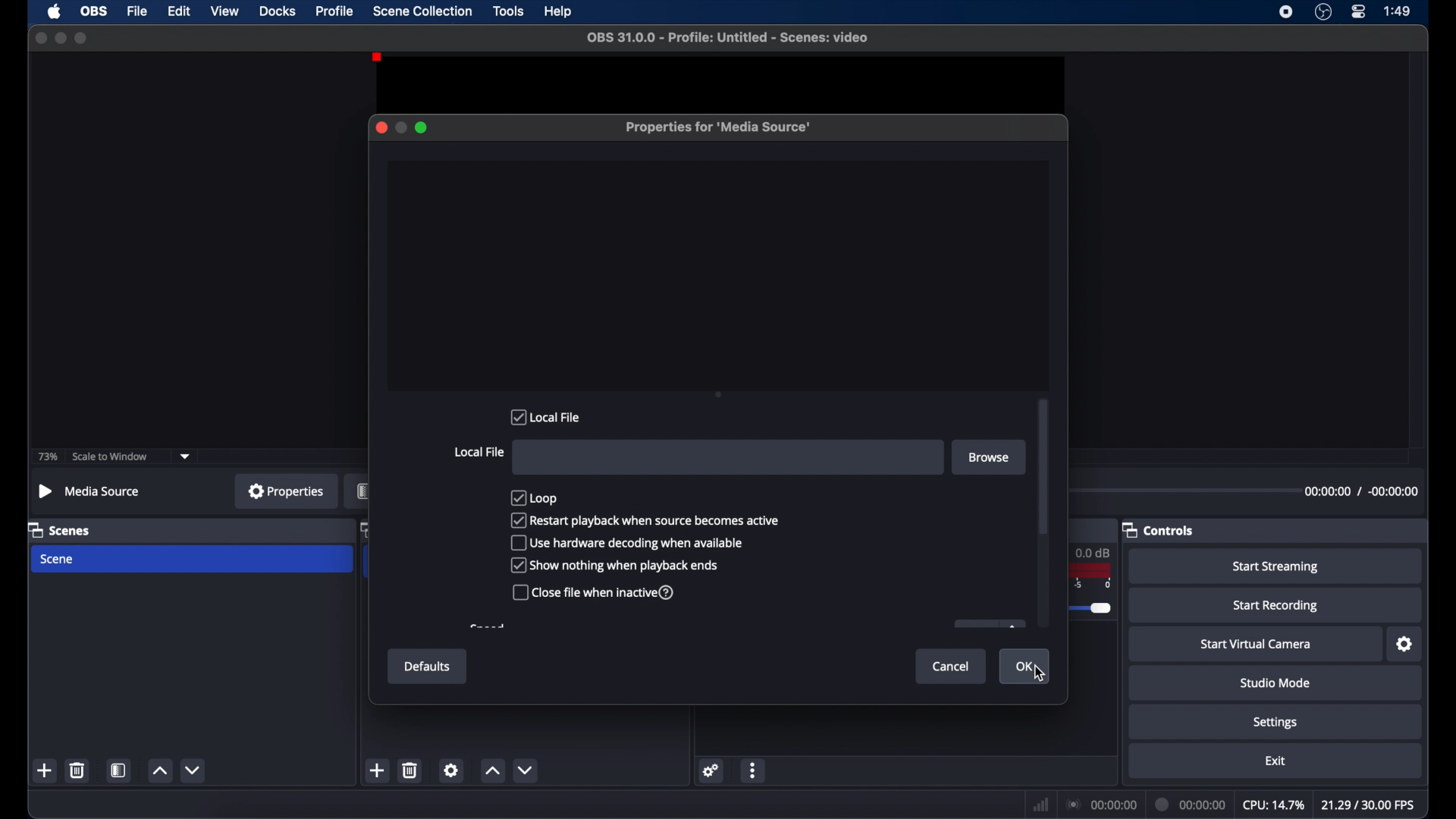  What do you see at coordinates (558, 12) in the screenshot?
I see `help` at bounding box center [558, 12].